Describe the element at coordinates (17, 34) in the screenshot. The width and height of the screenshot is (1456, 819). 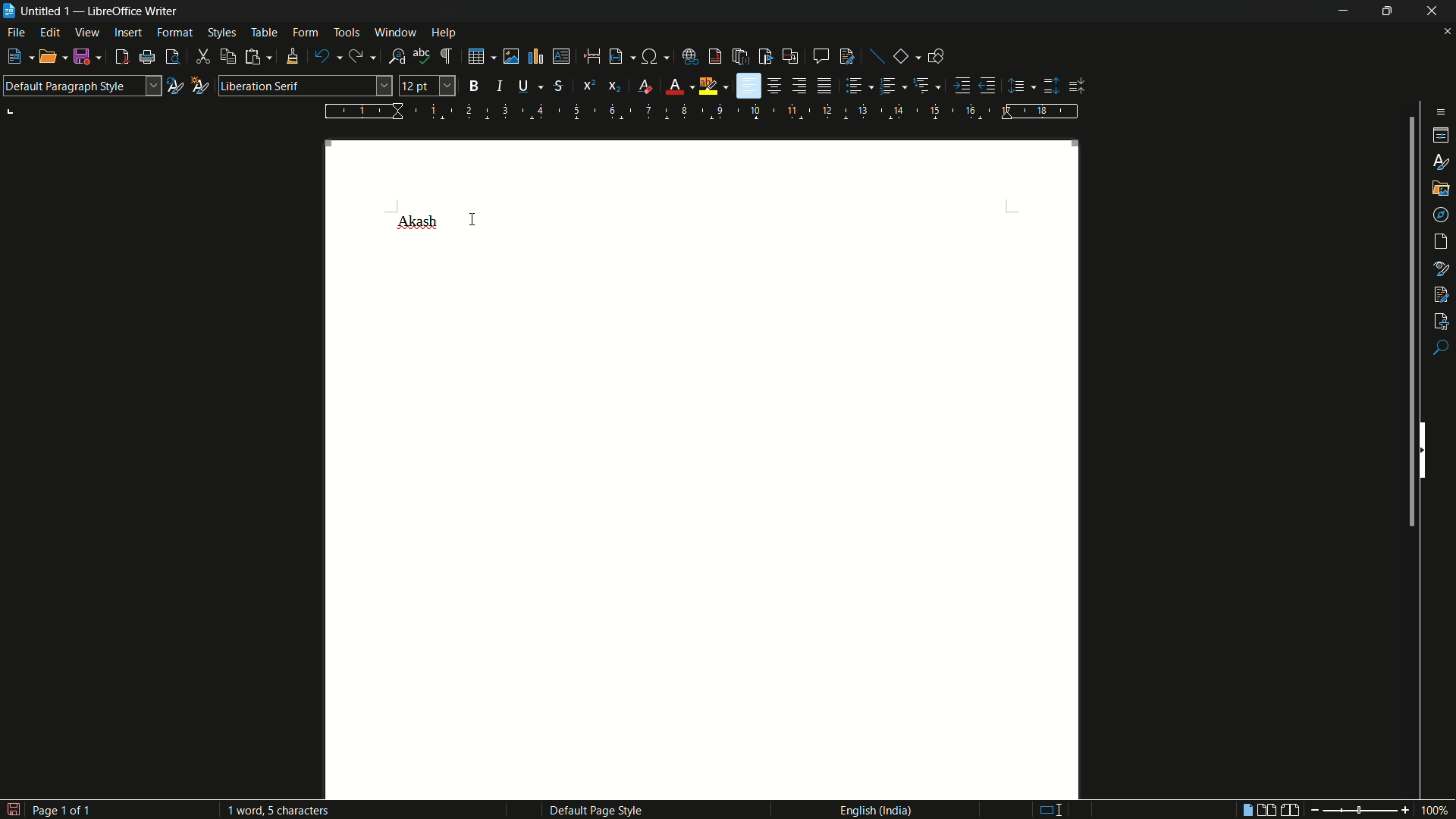
I see `file menu` at that location.